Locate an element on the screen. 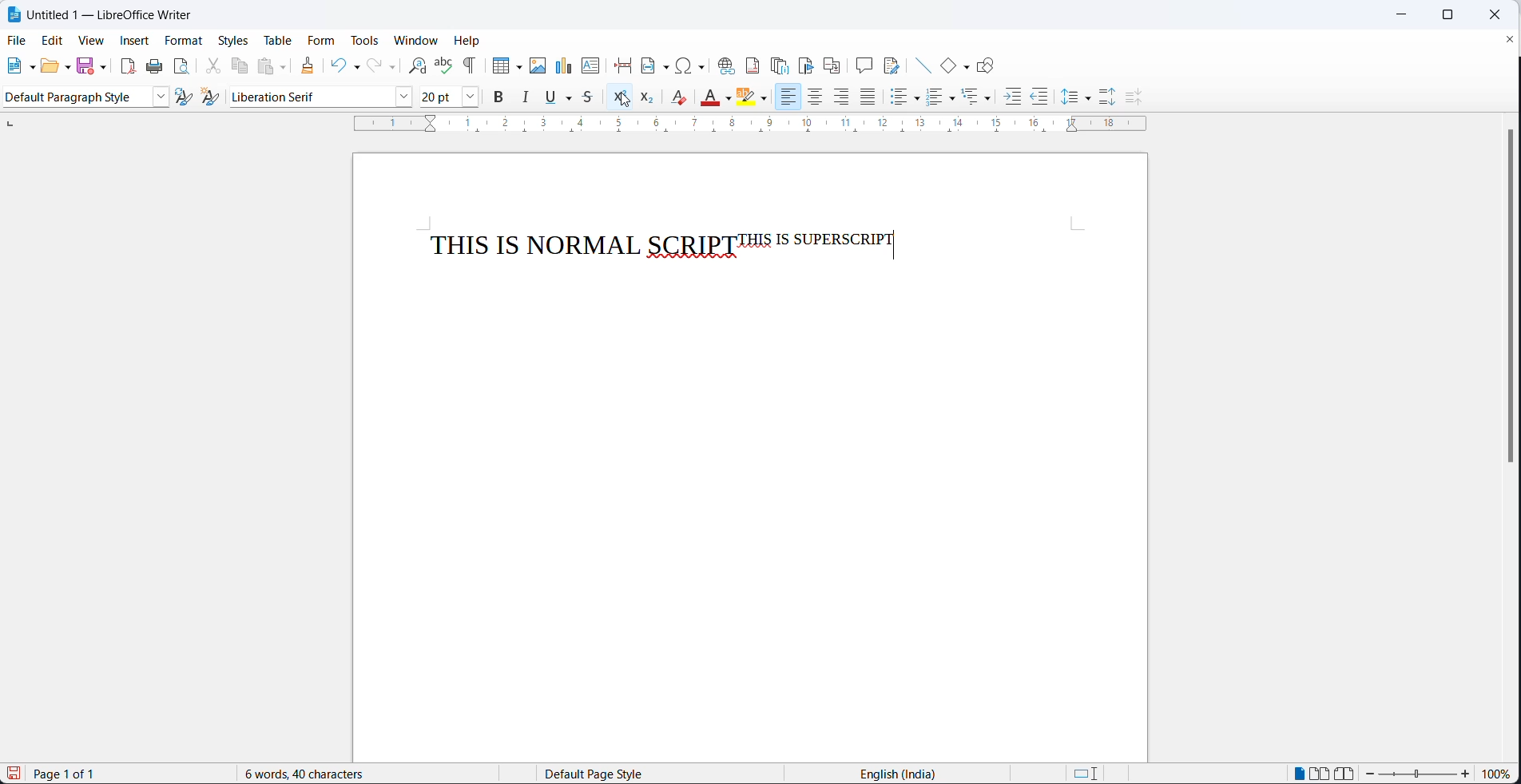 This screenshot has width=1521, height=784. font size dropdown button is located at coordinates (471, 97).